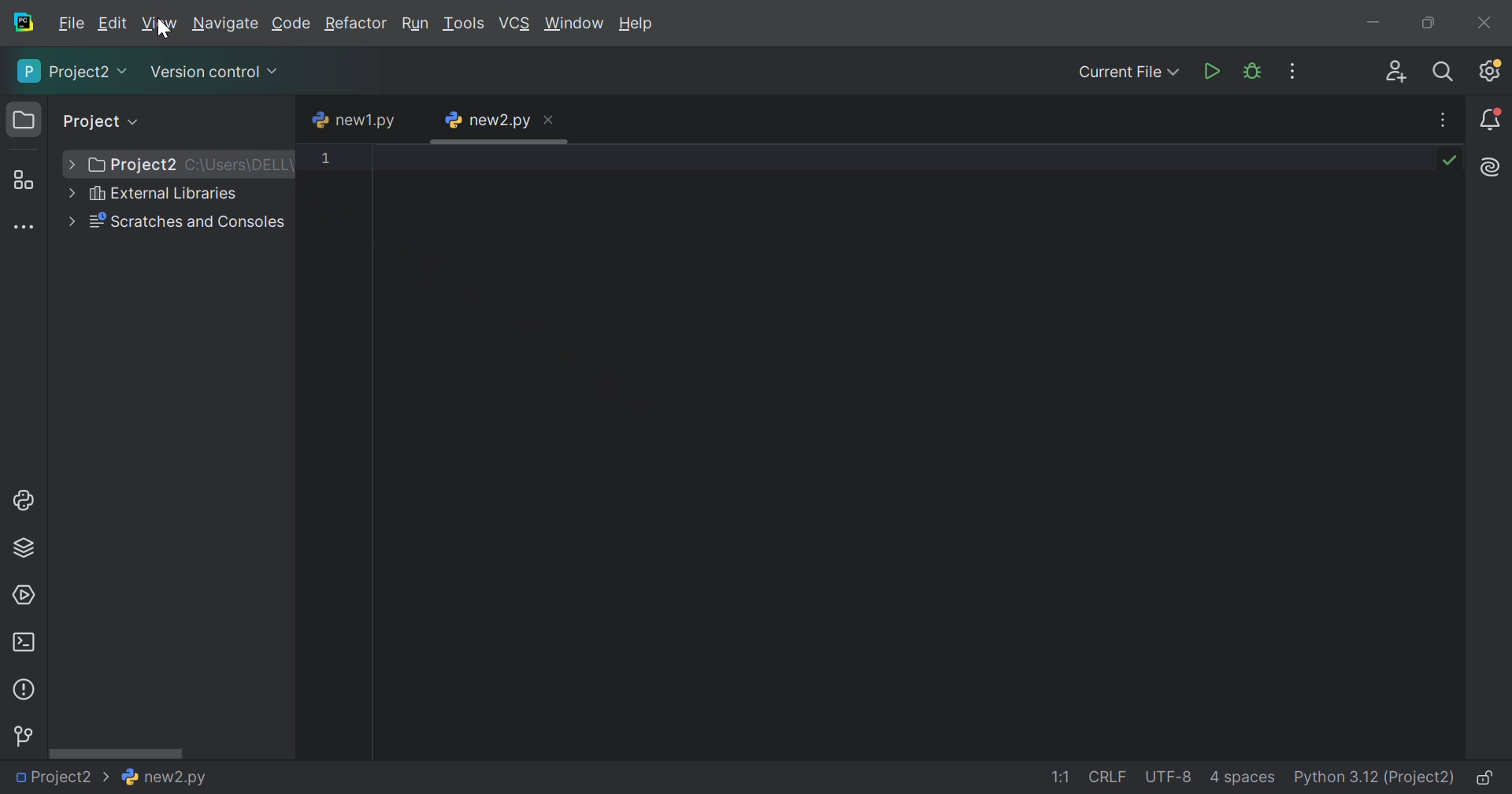  I want to click on new2.py, so click(163, 777).